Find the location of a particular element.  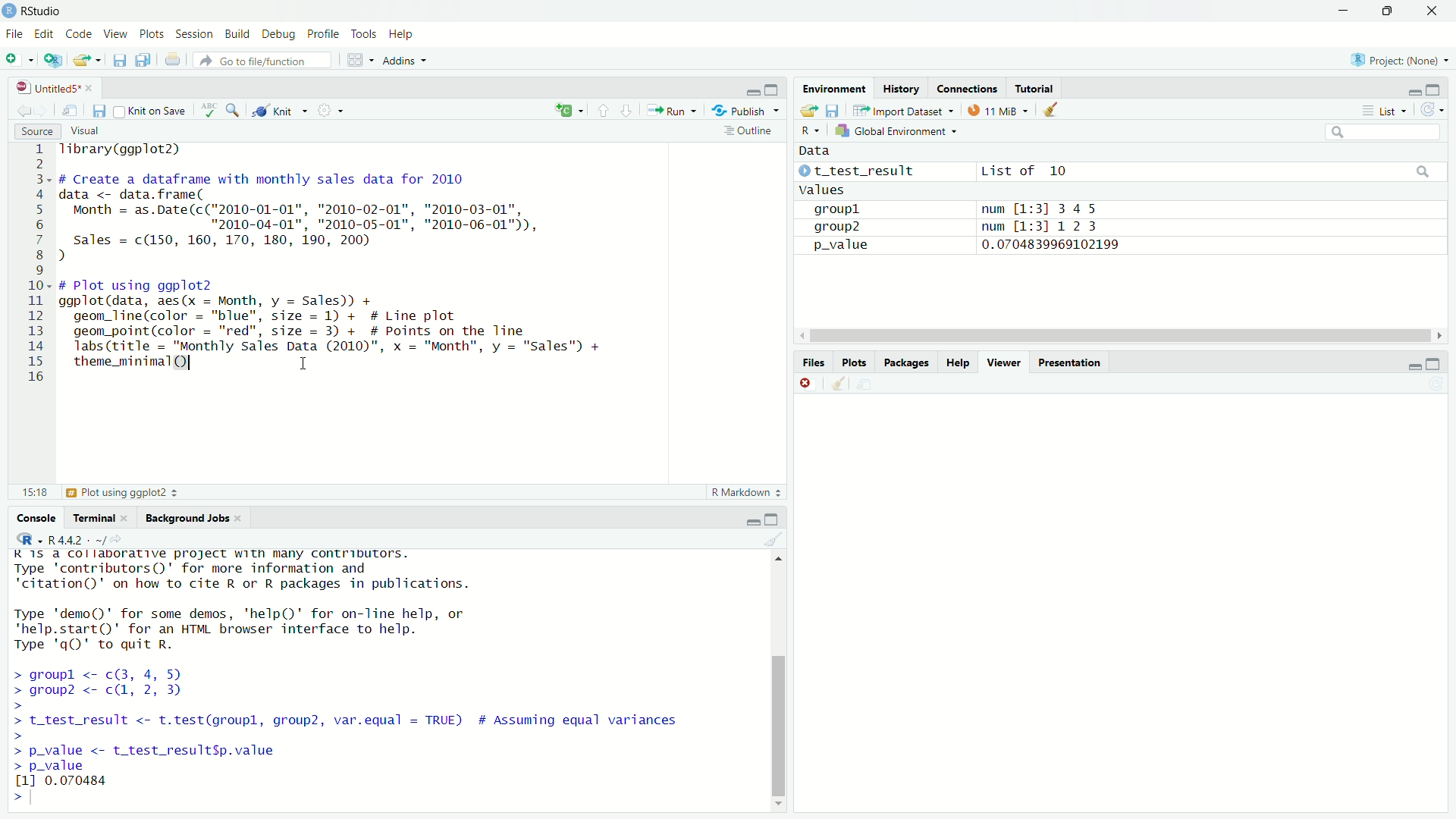

go to next section is located at coordinates (627, 111).